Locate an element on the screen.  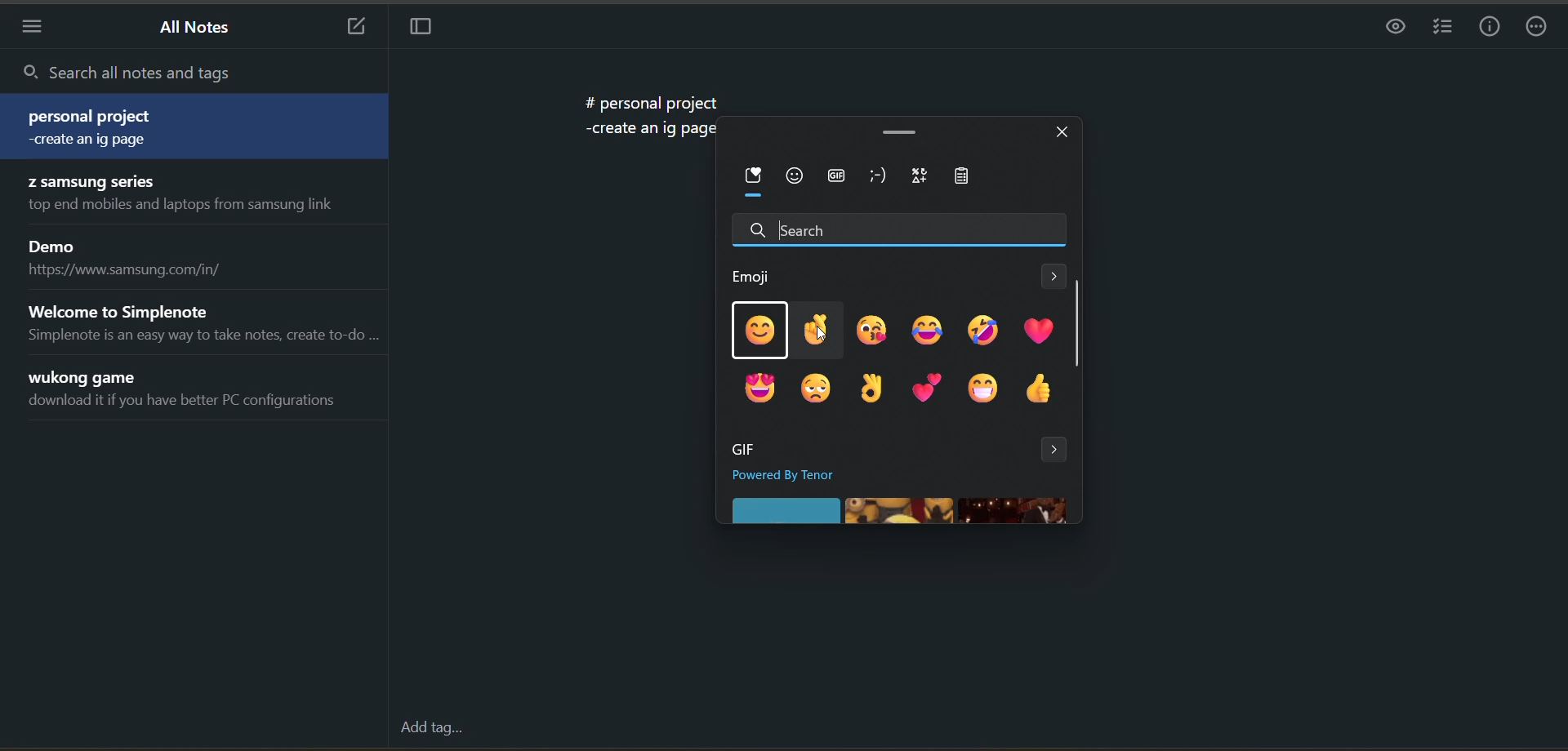
add tag is located at coordinates (430, 730).